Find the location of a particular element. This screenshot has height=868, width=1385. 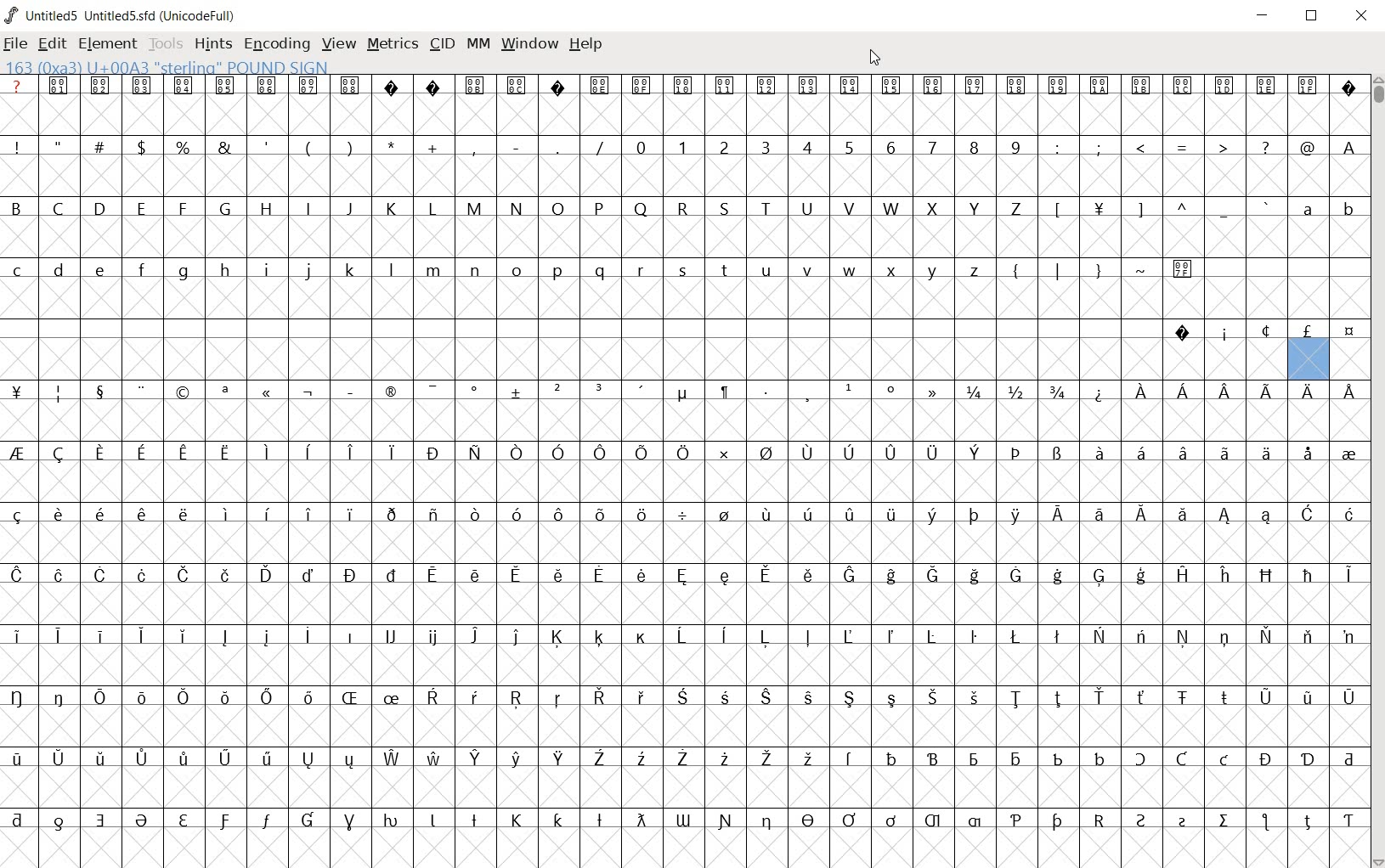

Symbol is located at coordinates (393, 821).